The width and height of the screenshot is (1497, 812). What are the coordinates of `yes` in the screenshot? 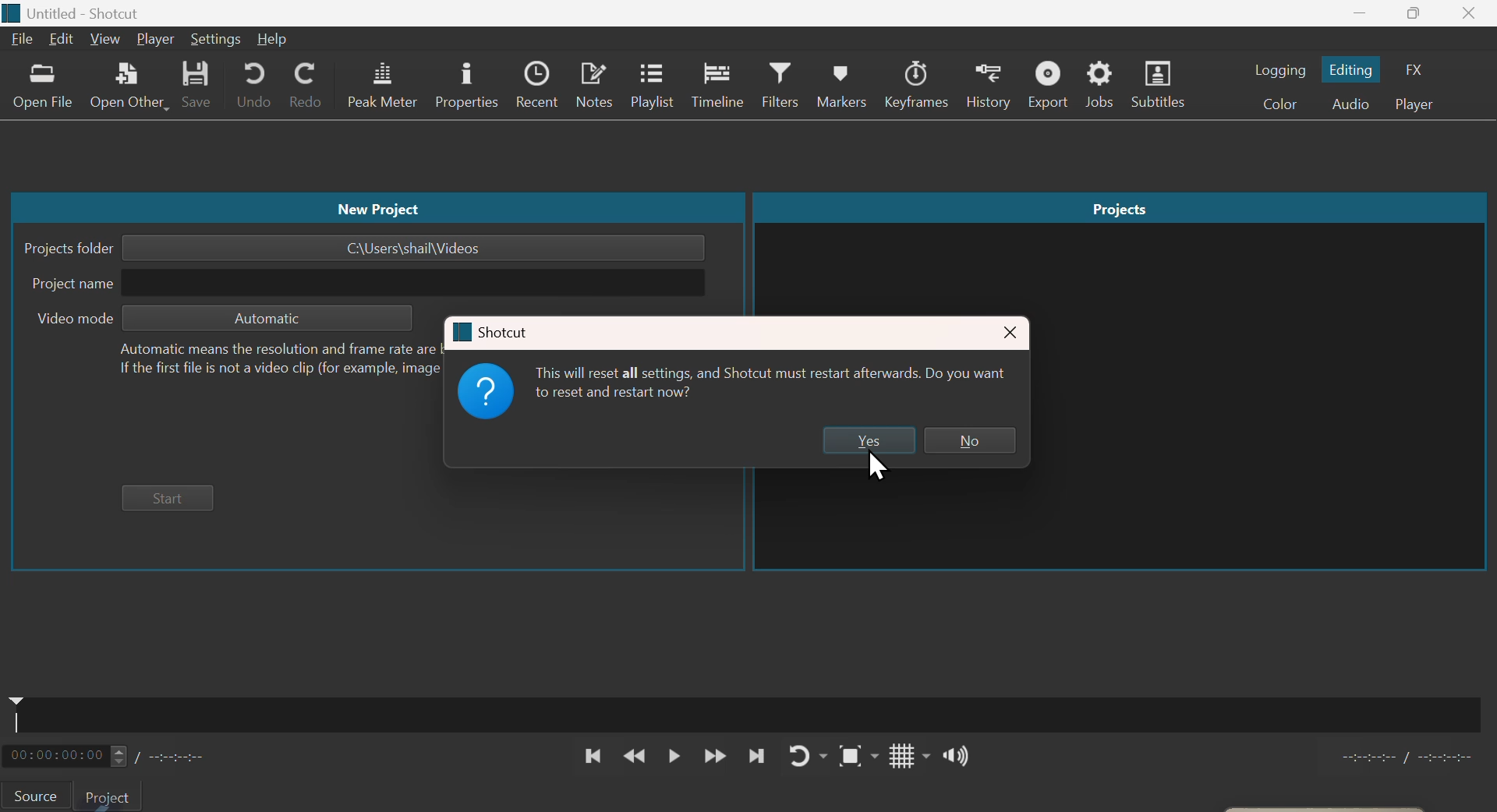 It's located at (869, 440).